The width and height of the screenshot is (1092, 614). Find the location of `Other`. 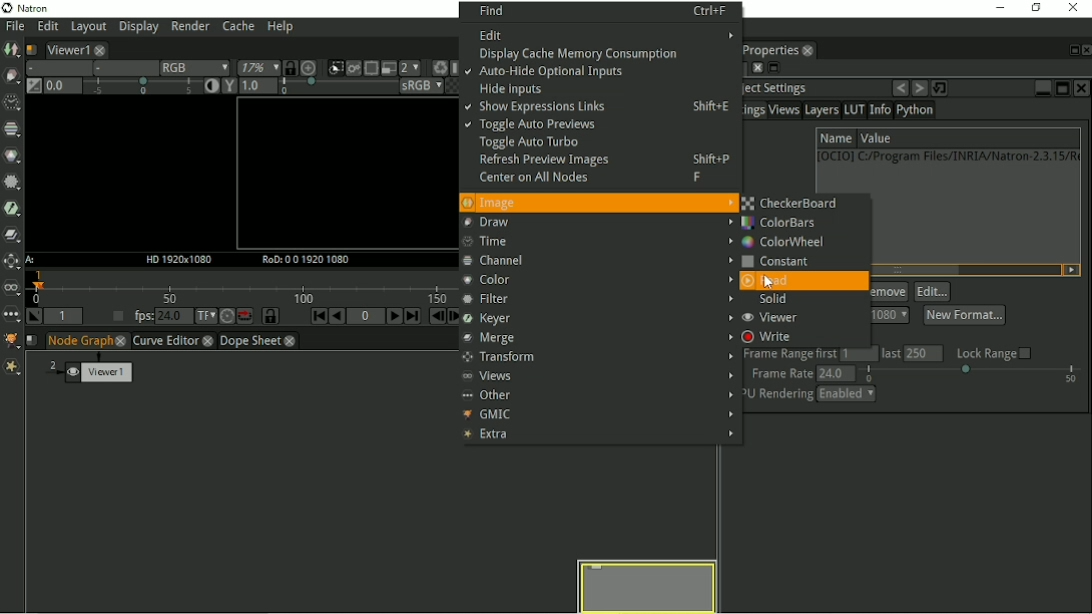

Other is located at coordinates (11, 314).